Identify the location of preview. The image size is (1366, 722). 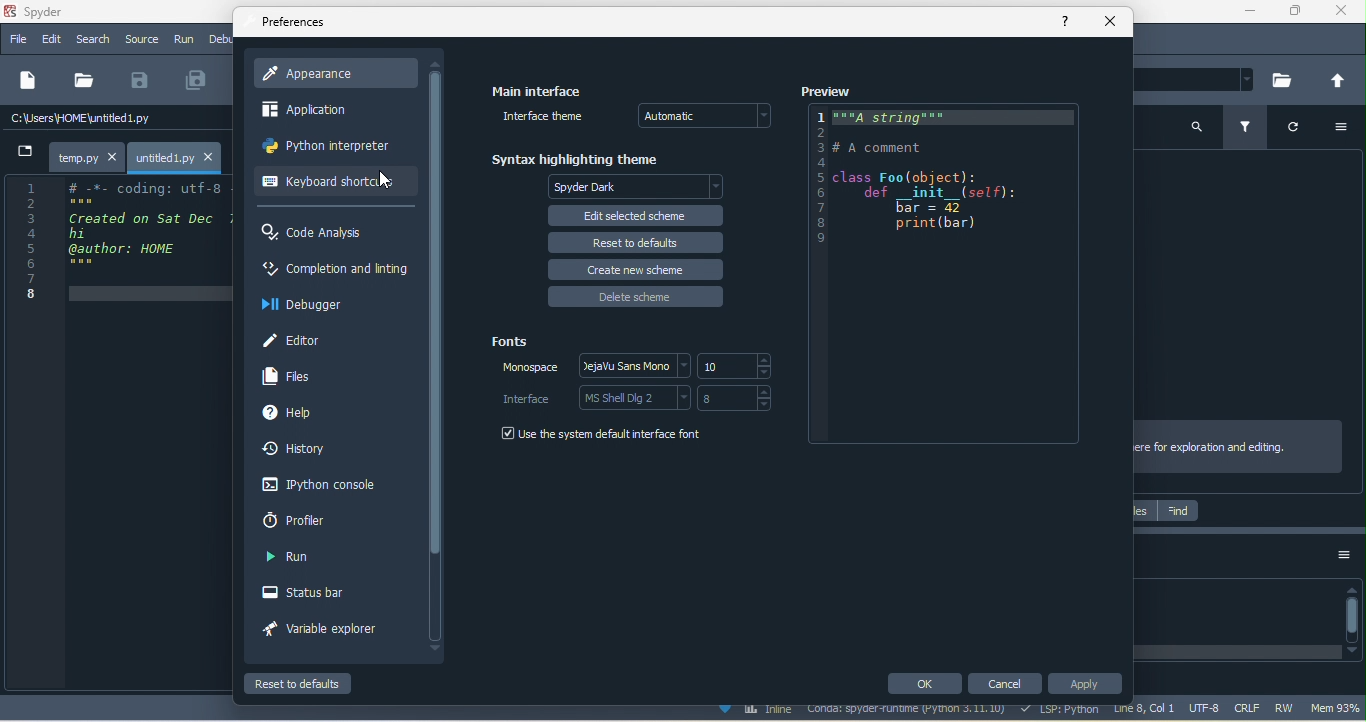
(829, 91).